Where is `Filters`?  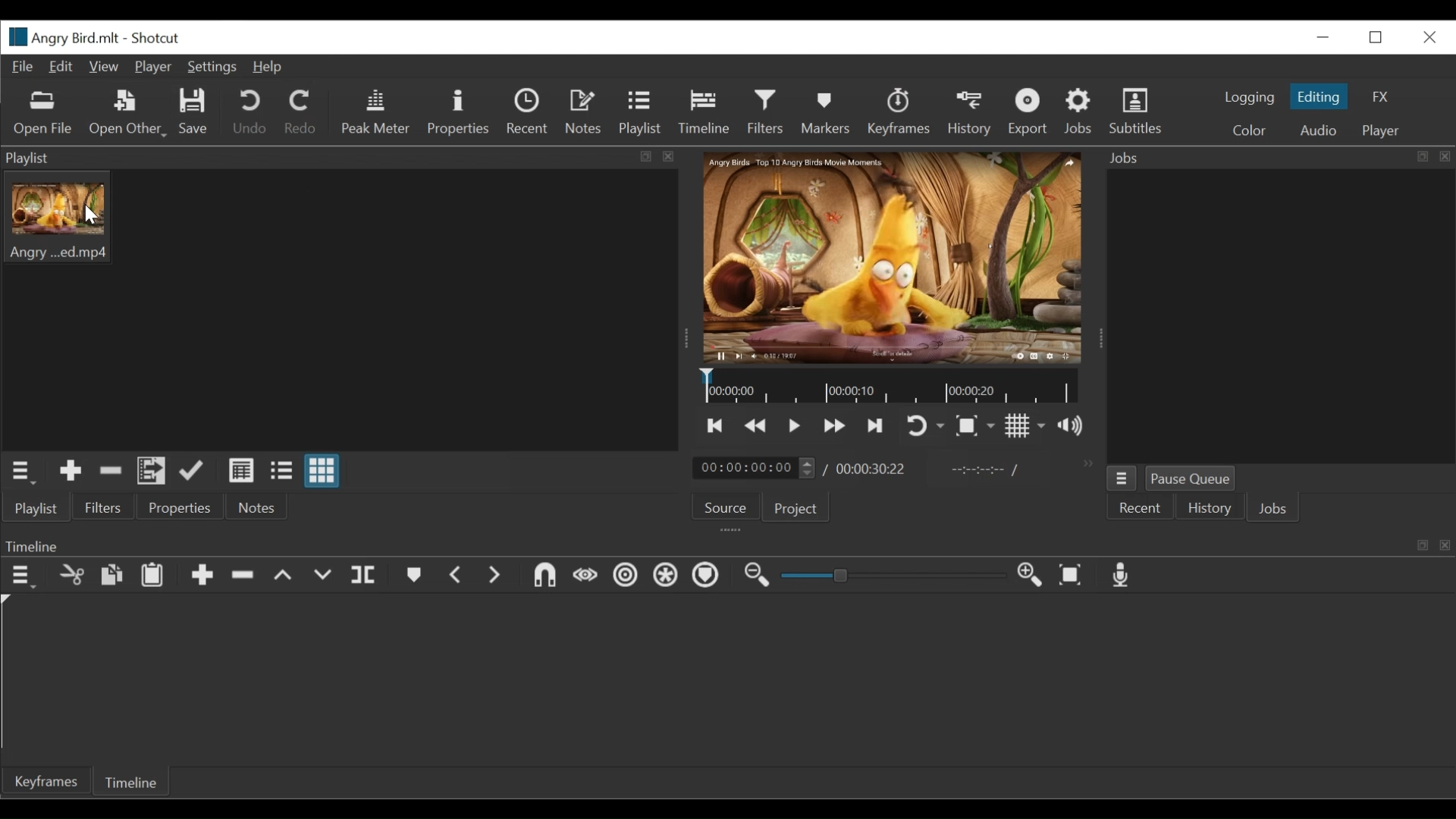
Filters is located at coordinates (102, 507).